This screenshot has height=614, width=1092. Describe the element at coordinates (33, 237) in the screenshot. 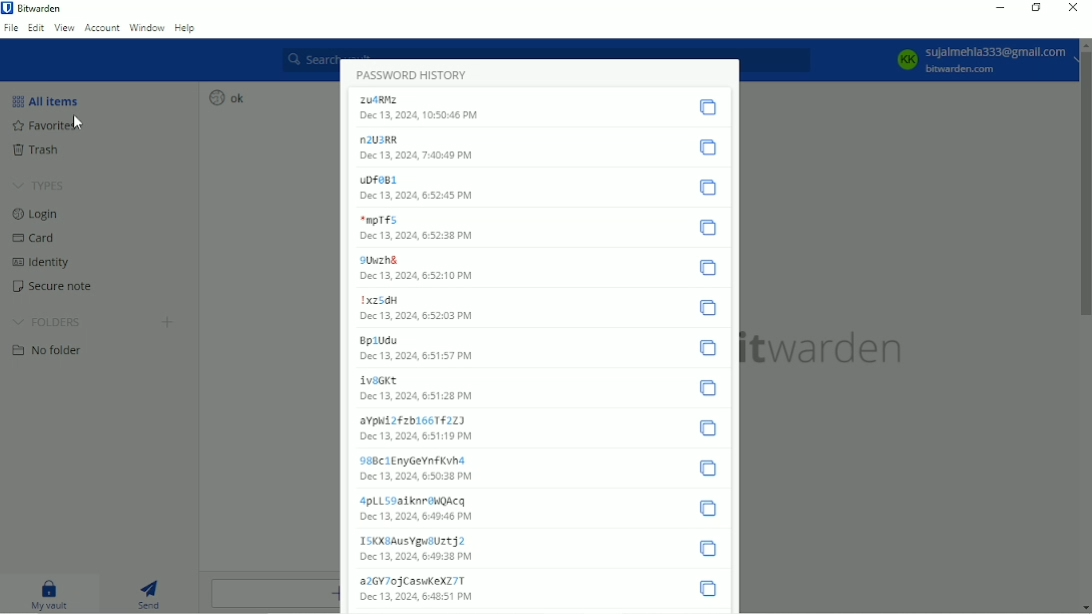

I see `Card` at that location.